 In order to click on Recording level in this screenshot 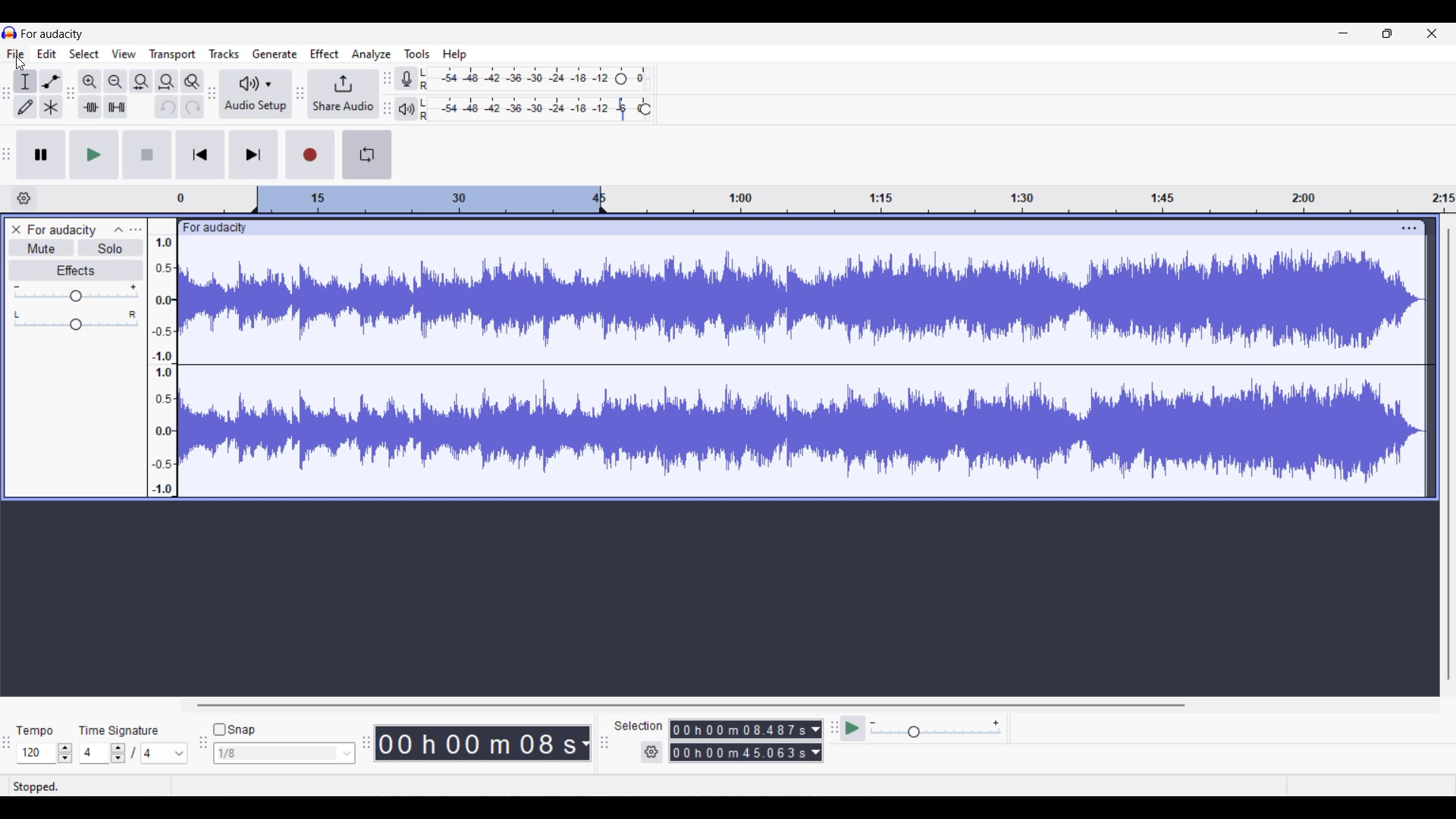, I will do `click(516, 79)`.